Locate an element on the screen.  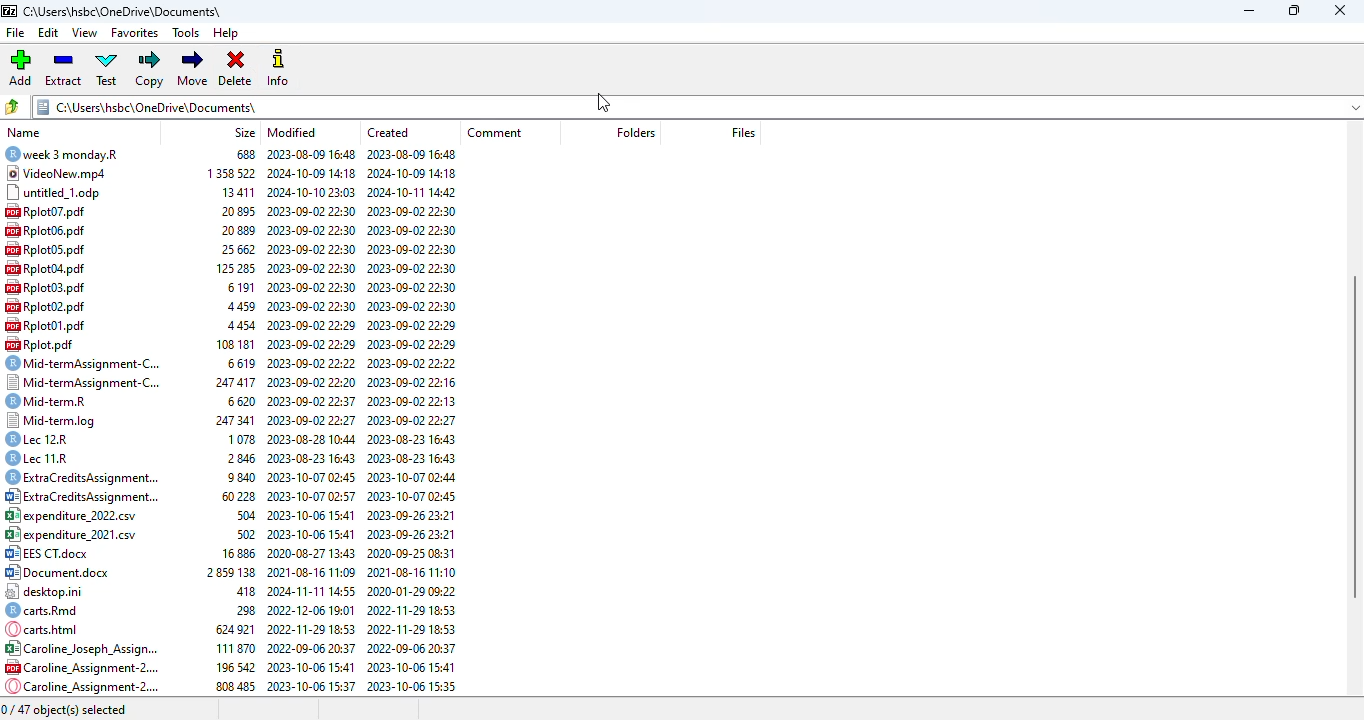
2023-10-07 02:44 is located at coordinates (414, 479).